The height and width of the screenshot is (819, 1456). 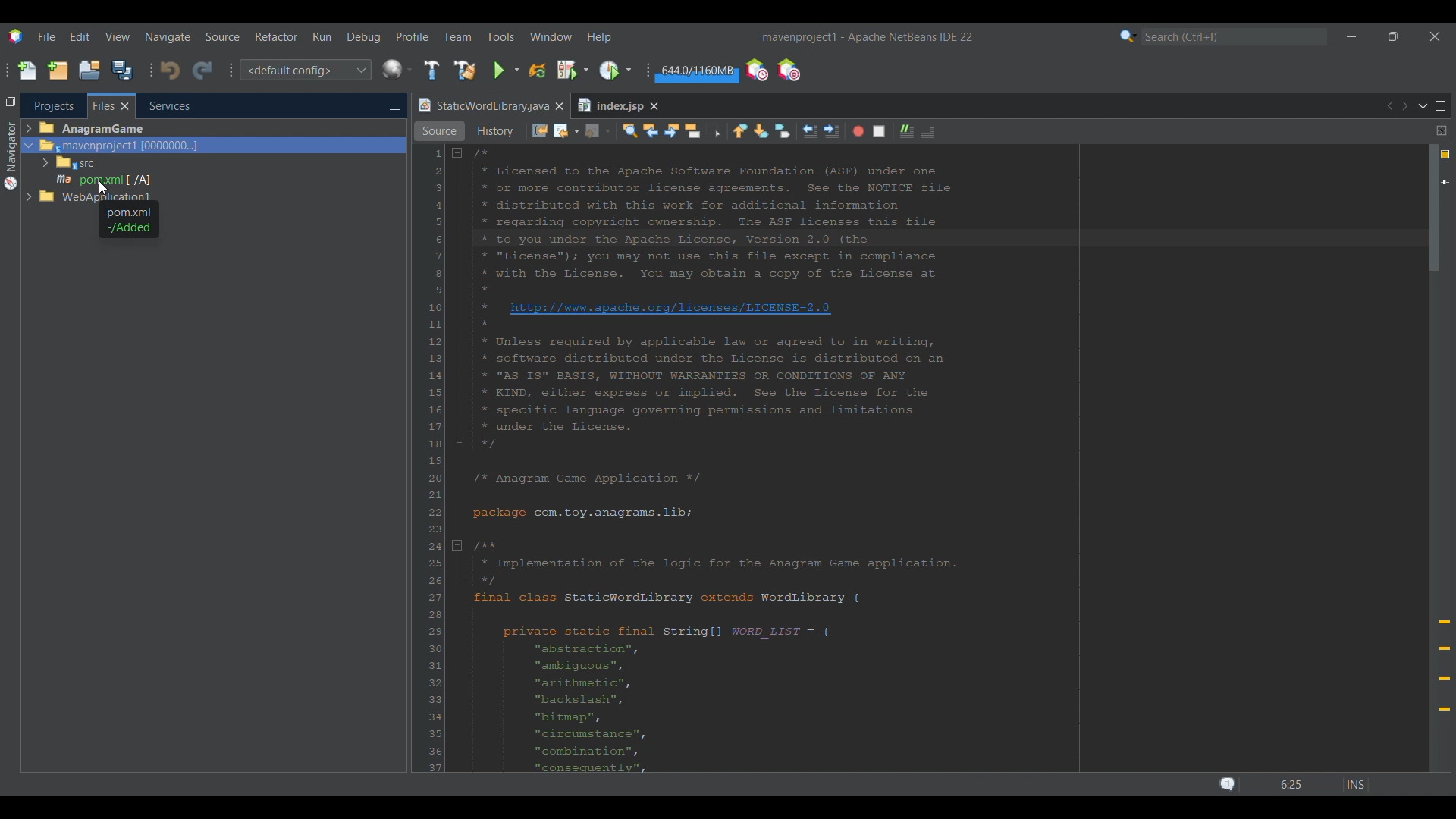 What do you see at coordinates (783, 130) in the screenshot?
I see `Toggle bookmark` at bounding box center [783, 130].